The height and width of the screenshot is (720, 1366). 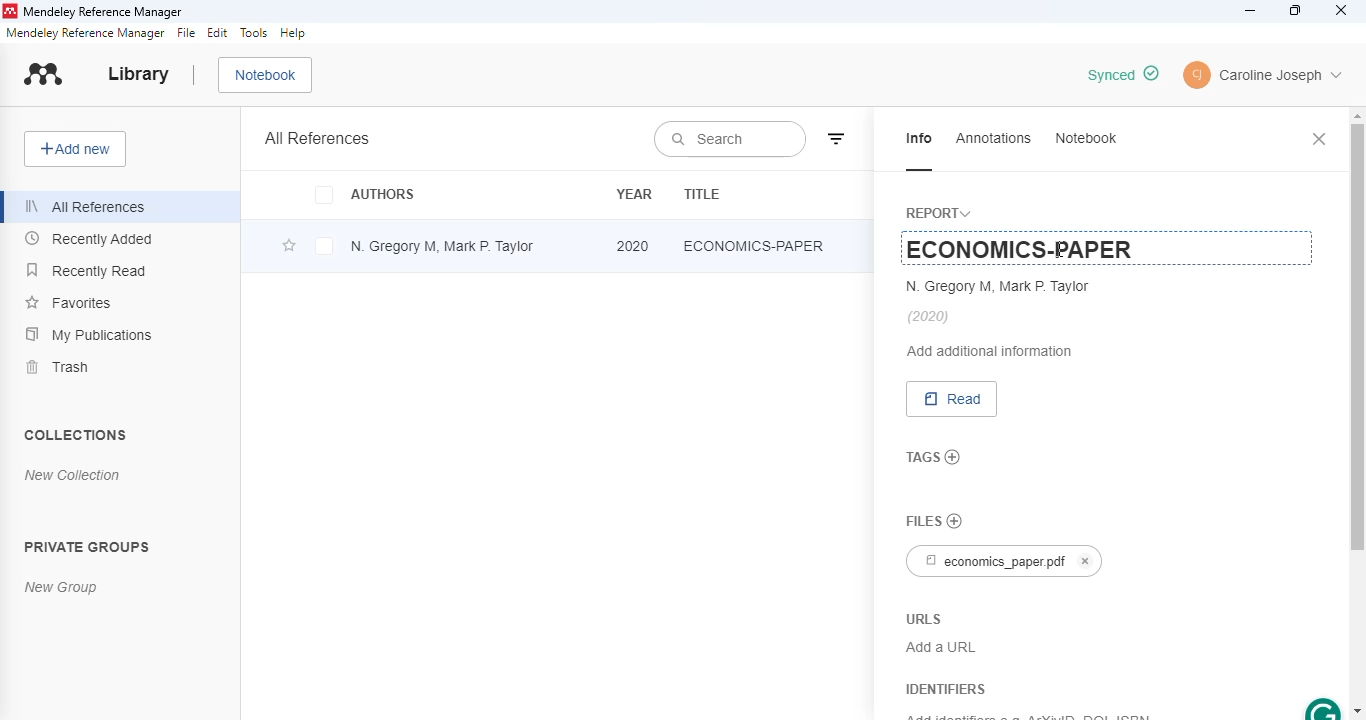 What do you see at coordinates (1023, 247) in the screenshot?
I see `ECONOMICS-PAPER` at bounding box center [1023, 247].